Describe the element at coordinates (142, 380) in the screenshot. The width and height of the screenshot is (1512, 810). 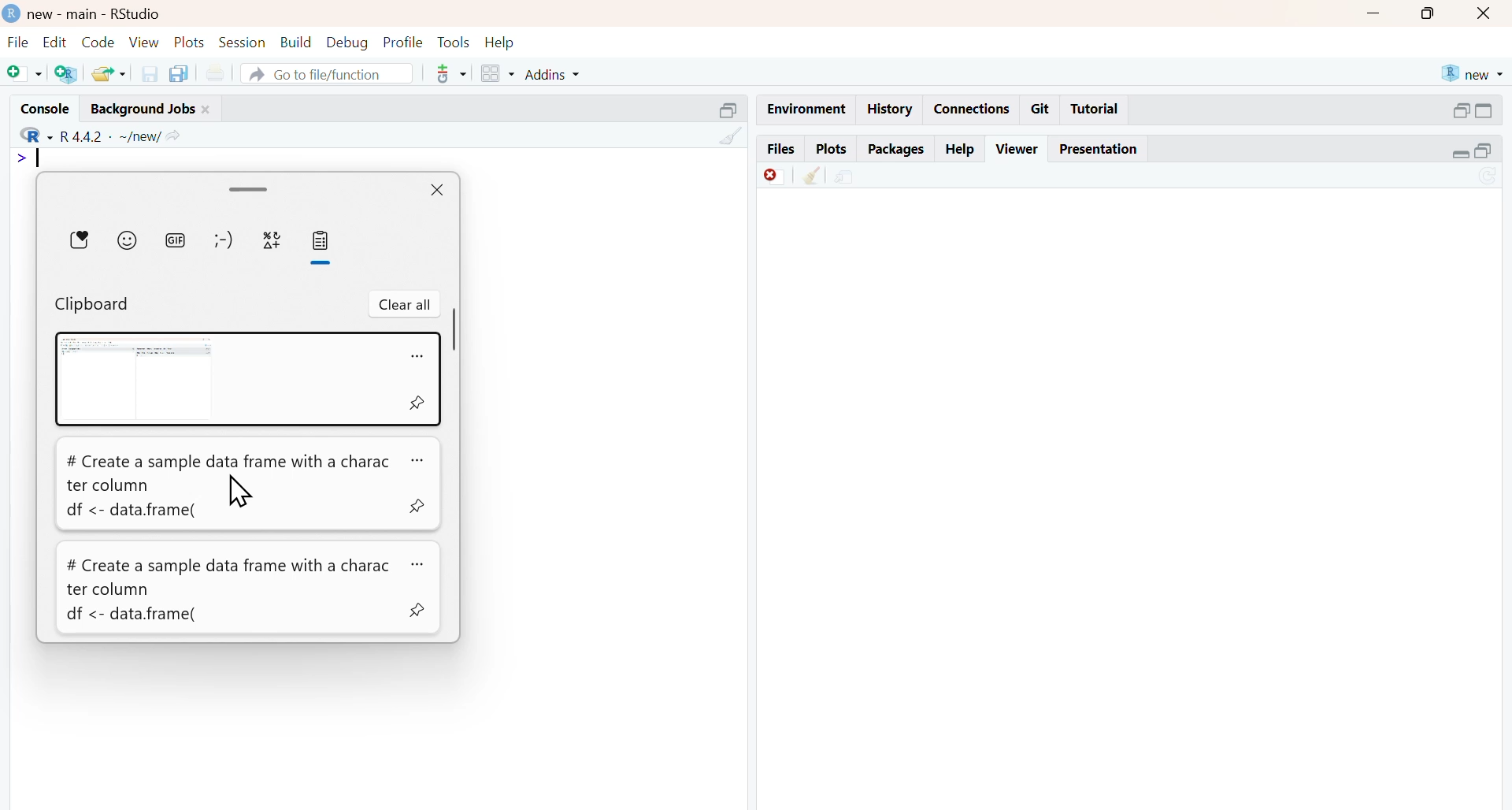
I see `Screenshot ` at that location.